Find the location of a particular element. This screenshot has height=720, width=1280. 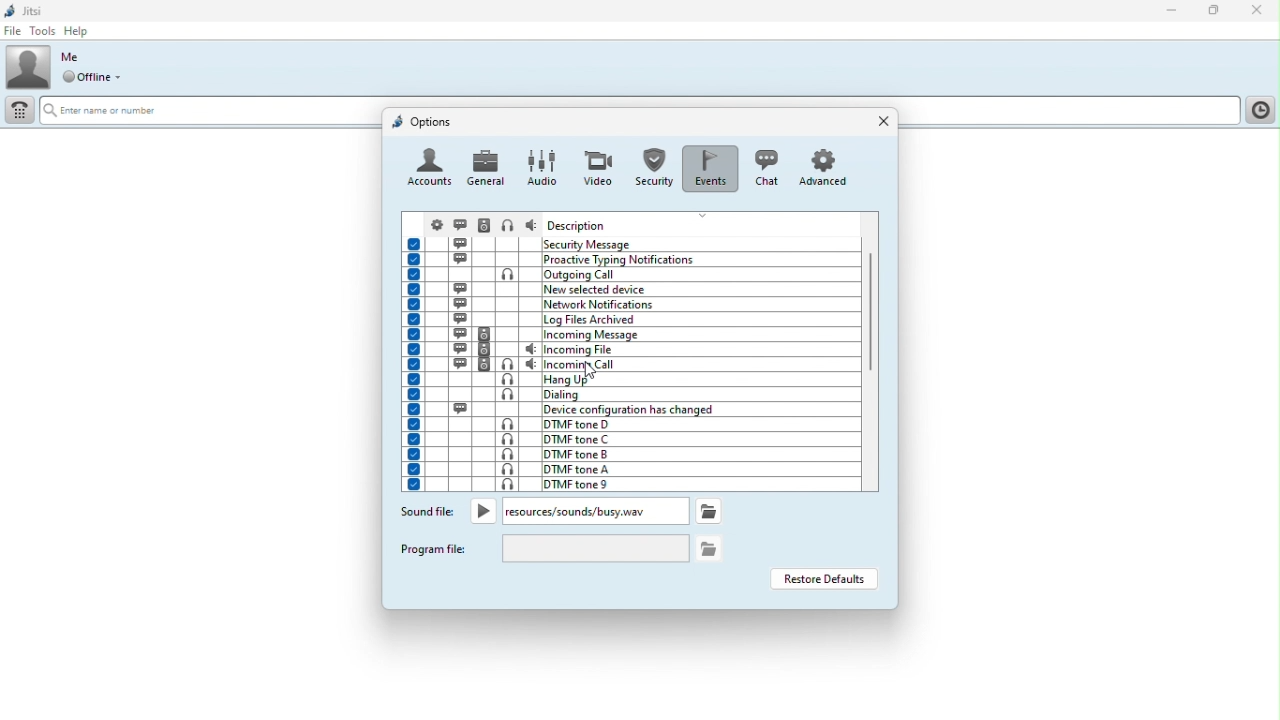

Jitsi is located at coordinates (26, 9).